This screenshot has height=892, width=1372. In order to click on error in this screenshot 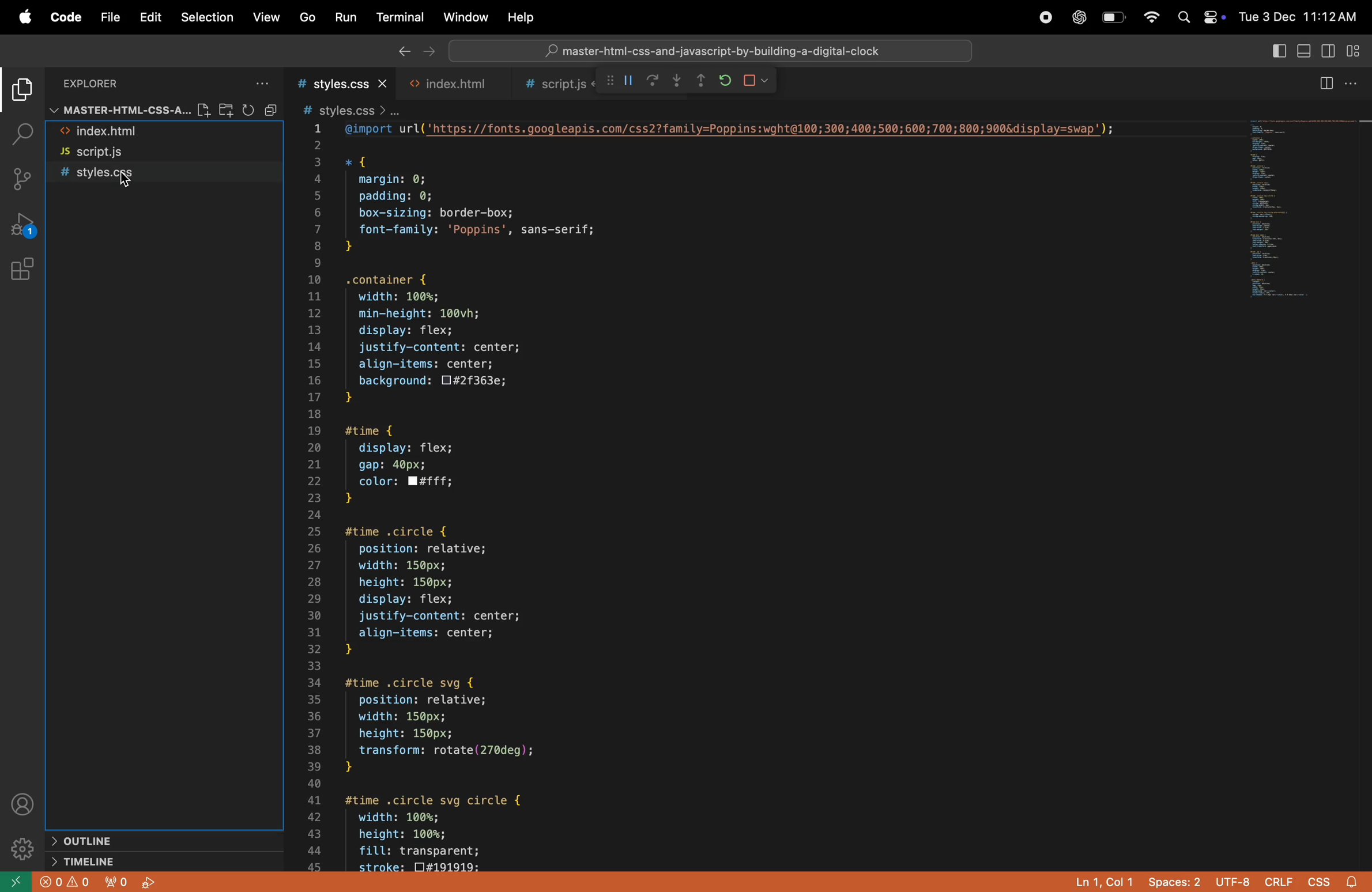, I will do `click(61, 882)`.